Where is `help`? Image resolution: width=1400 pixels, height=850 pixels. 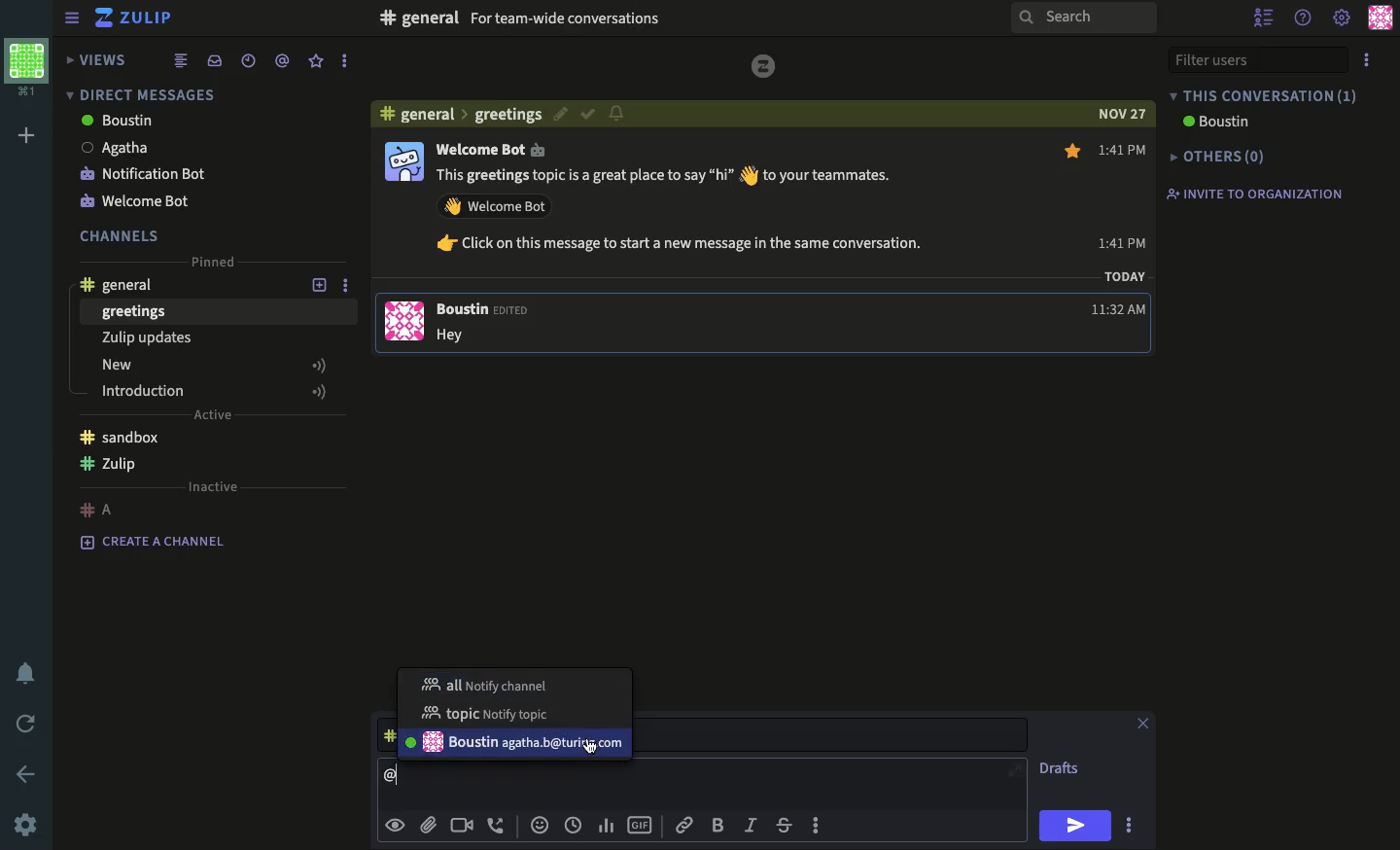
help is located at coordinates (1306, 16).